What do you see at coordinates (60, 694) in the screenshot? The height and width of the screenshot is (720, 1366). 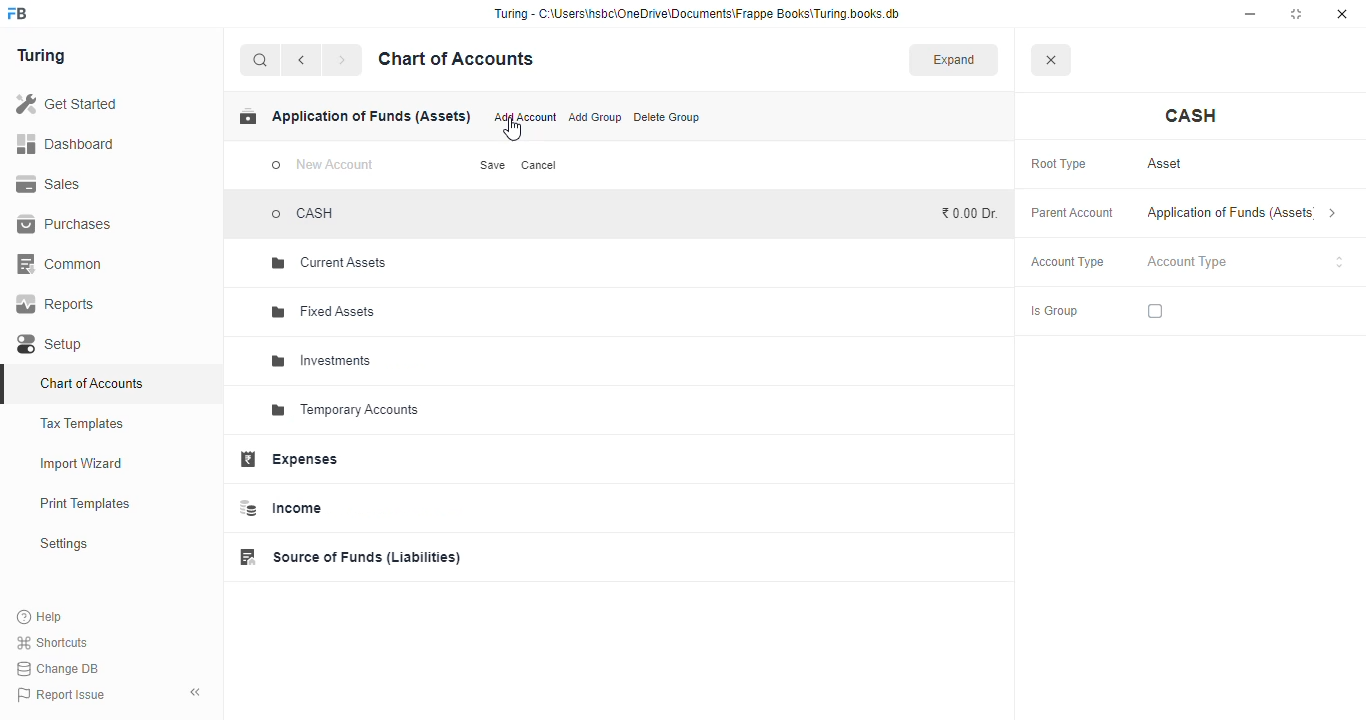 I see `report issue` at bounding box center [60, 694].